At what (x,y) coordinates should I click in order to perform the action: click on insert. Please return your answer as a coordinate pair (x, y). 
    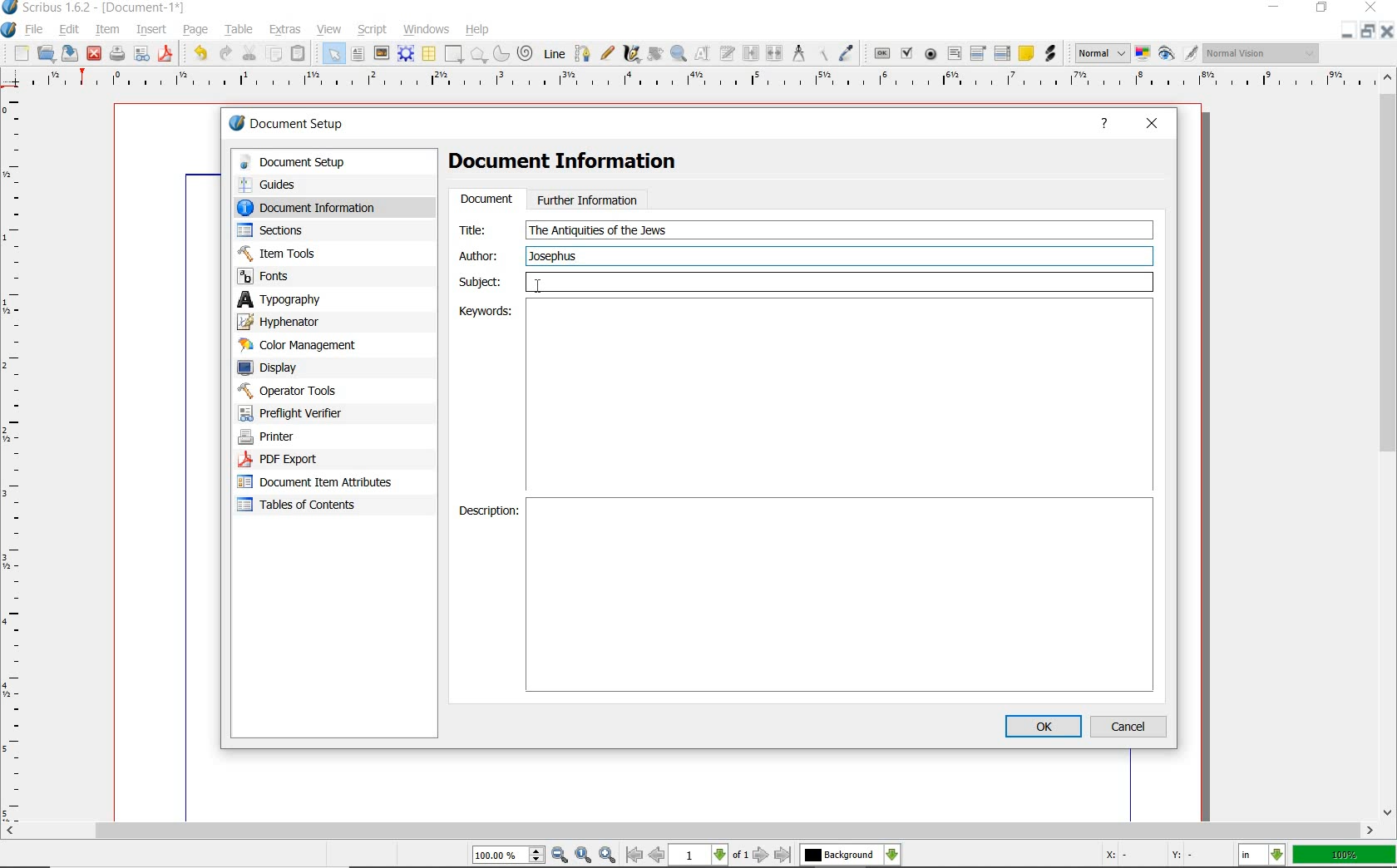
    Looking at the image, I should click on (151, 29).